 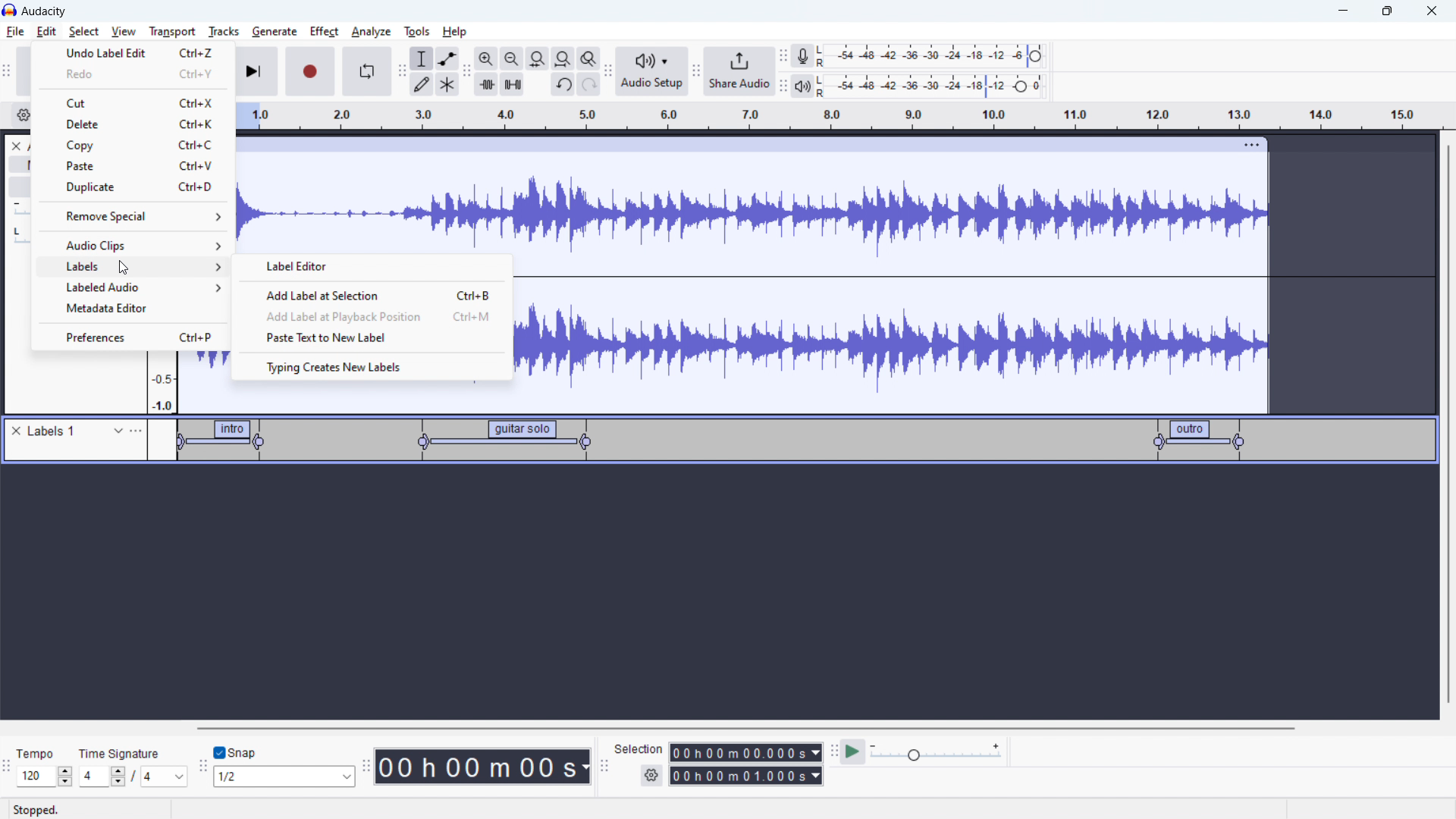 What do you see at coordinates (457, 32) in the screenshot?
I see `help` at bounding box center [457, 32].